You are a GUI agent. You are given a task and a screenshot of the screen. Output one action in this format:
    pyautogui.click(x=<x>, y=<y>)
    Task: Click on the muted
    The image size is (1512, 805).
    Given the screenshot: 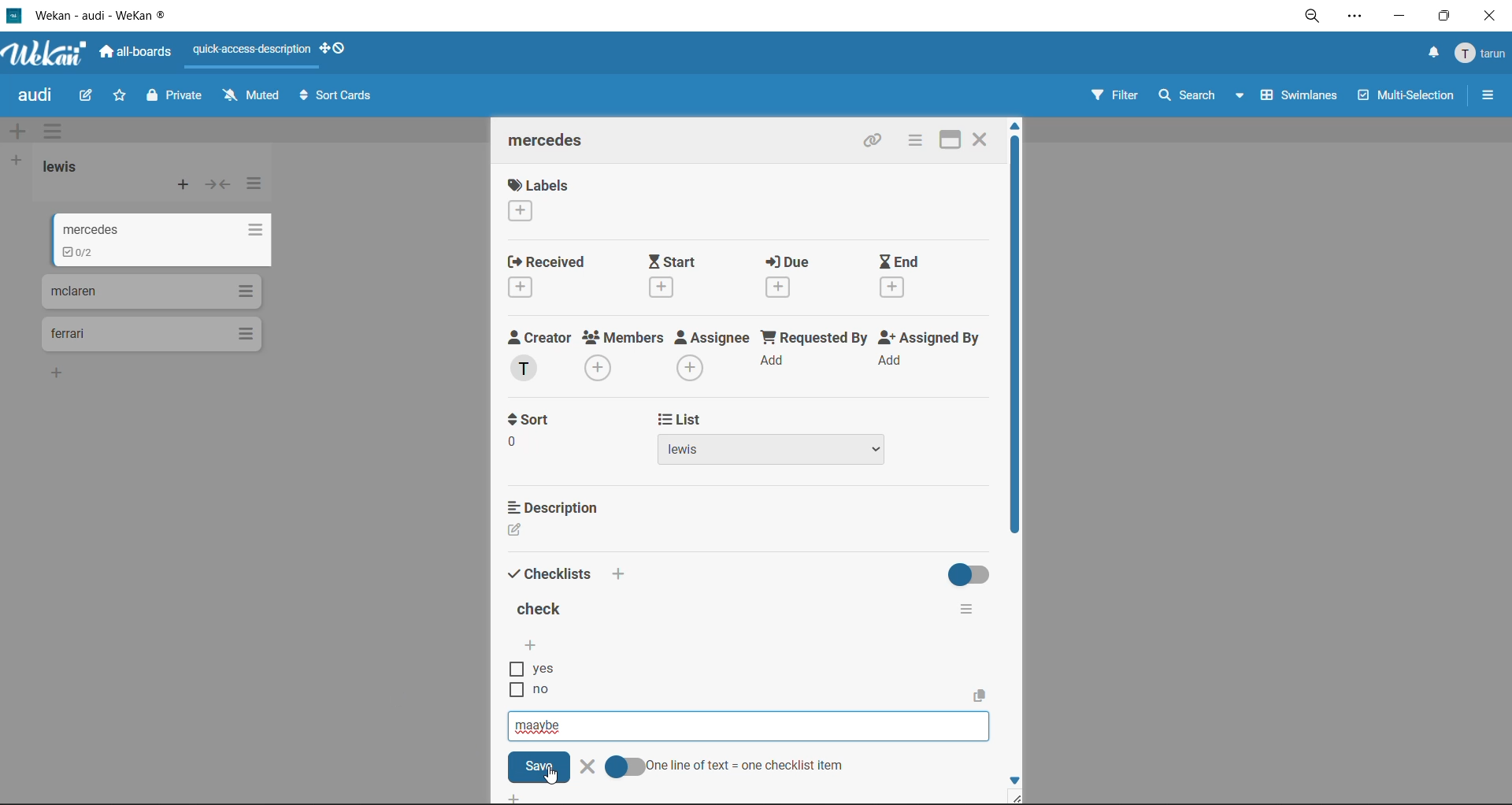 What is the action you would take?
    pyautogui.click(x=250, y=95)
    